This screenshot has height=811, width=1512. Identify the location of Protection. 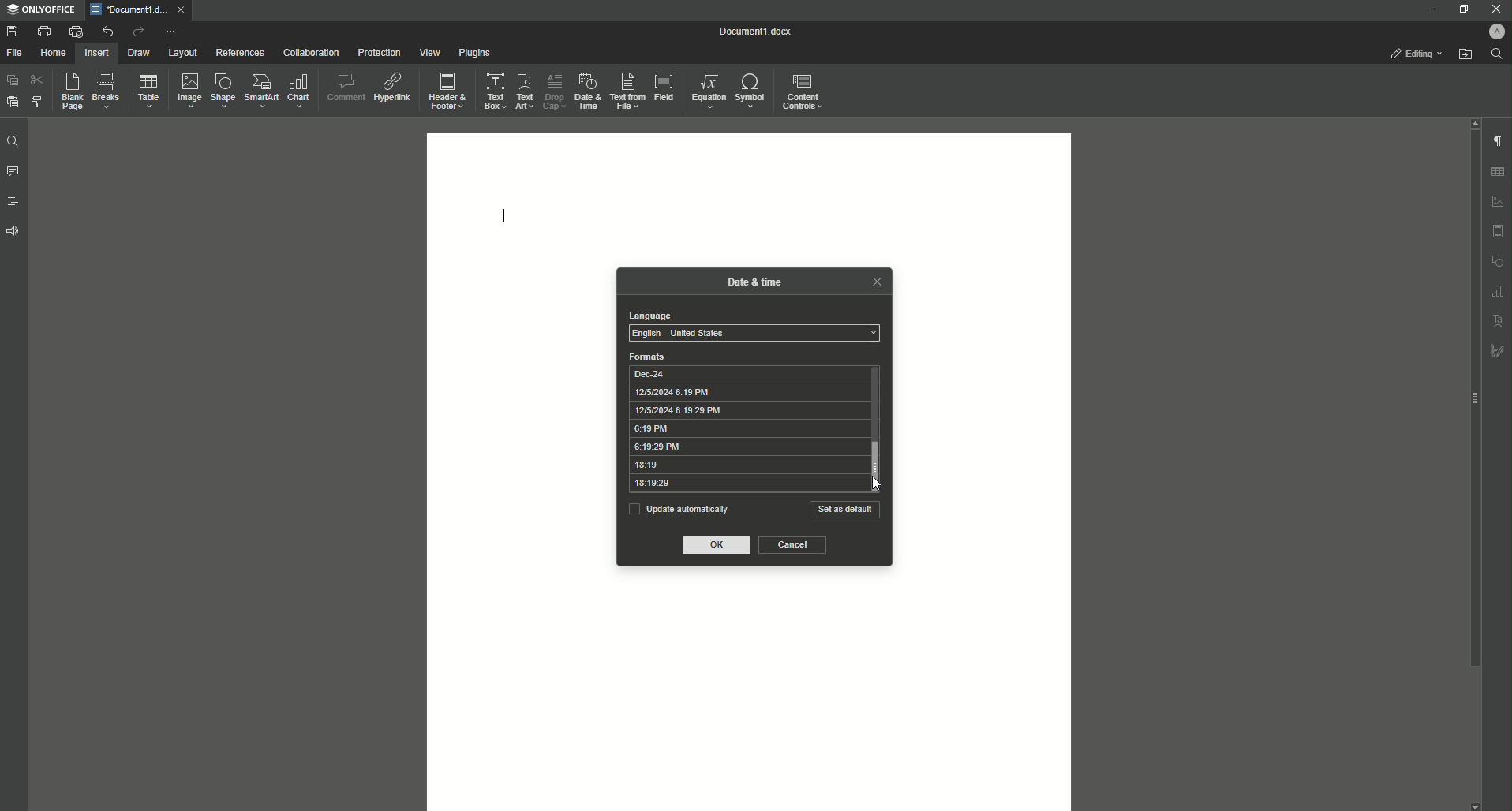
(376, 51).